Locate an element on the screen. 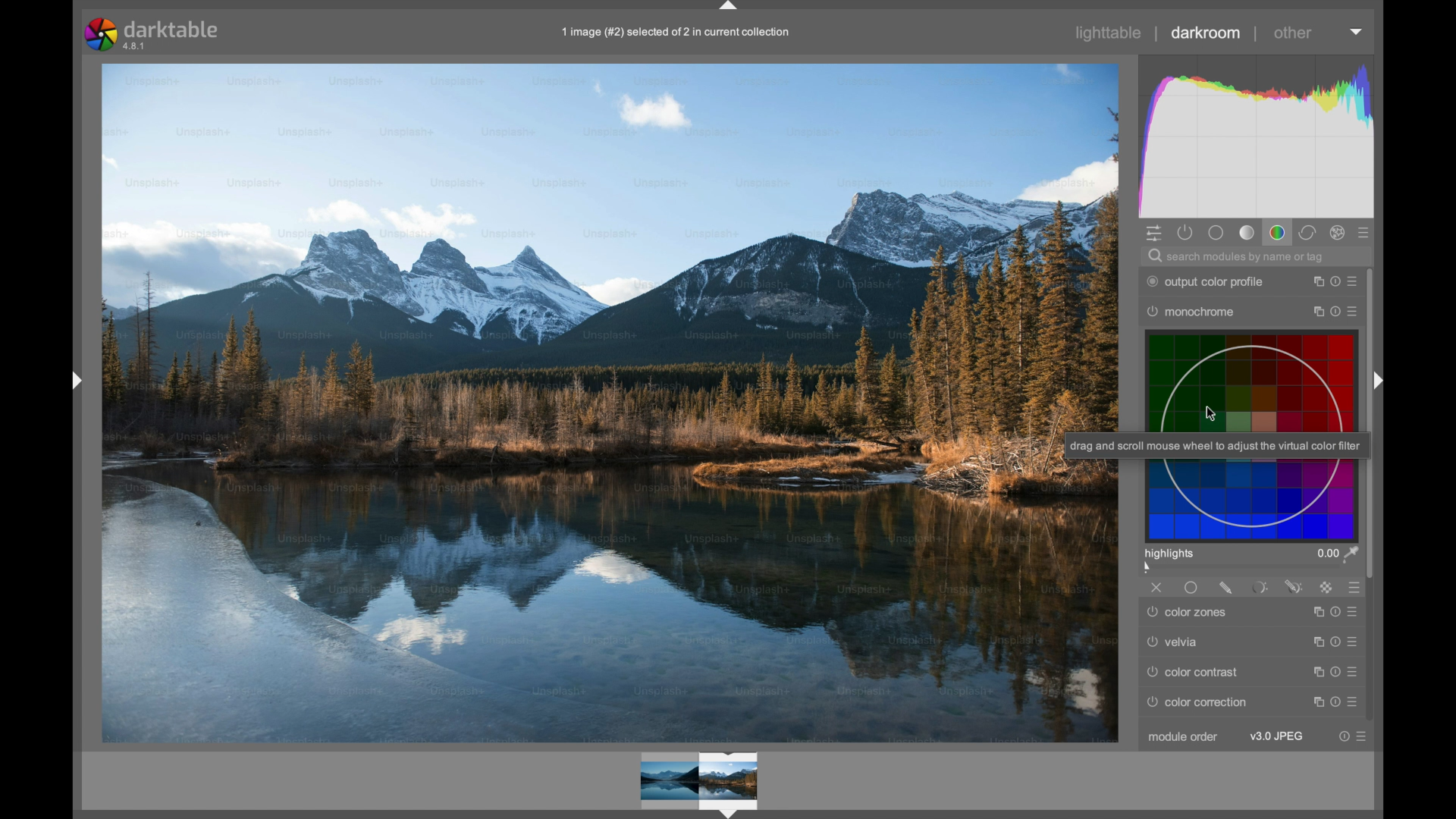  instance is located at coordinates (1316, 701).